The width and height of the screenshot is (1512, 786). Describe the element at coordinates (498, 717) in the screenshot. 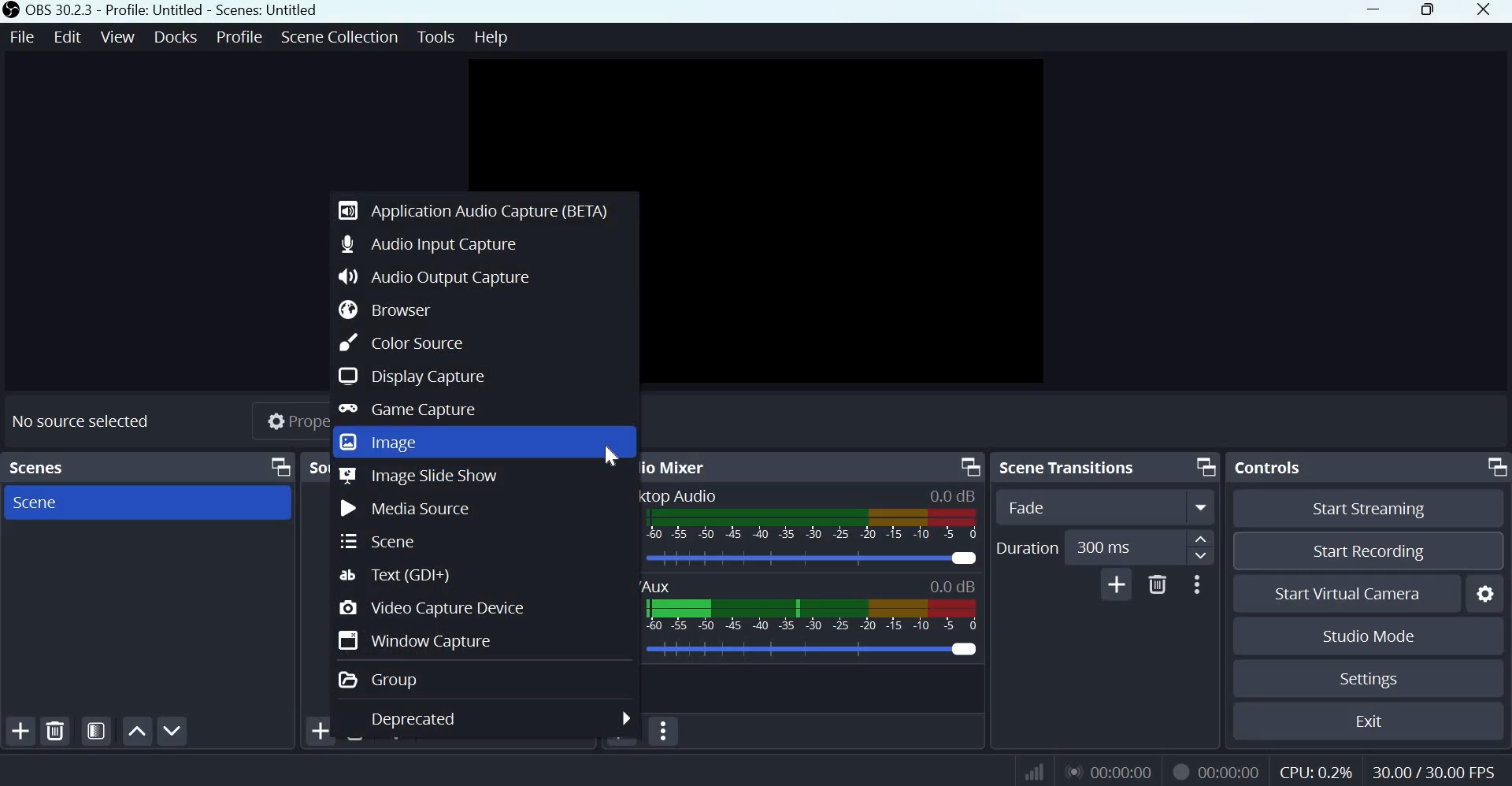

I see `Deprecated` at that location.